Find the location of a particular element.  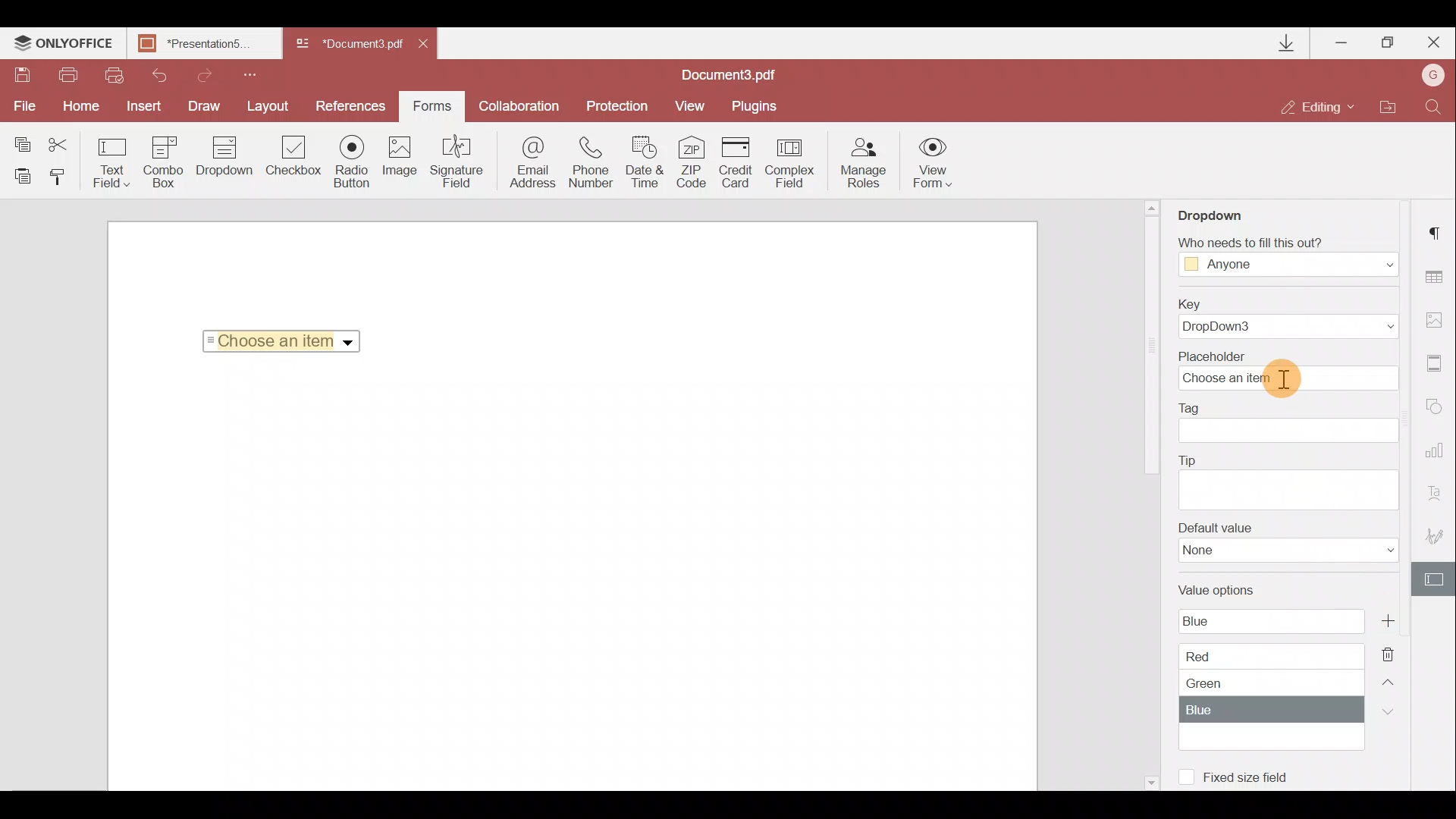

Selected Item is located at coordinates (277, 340).